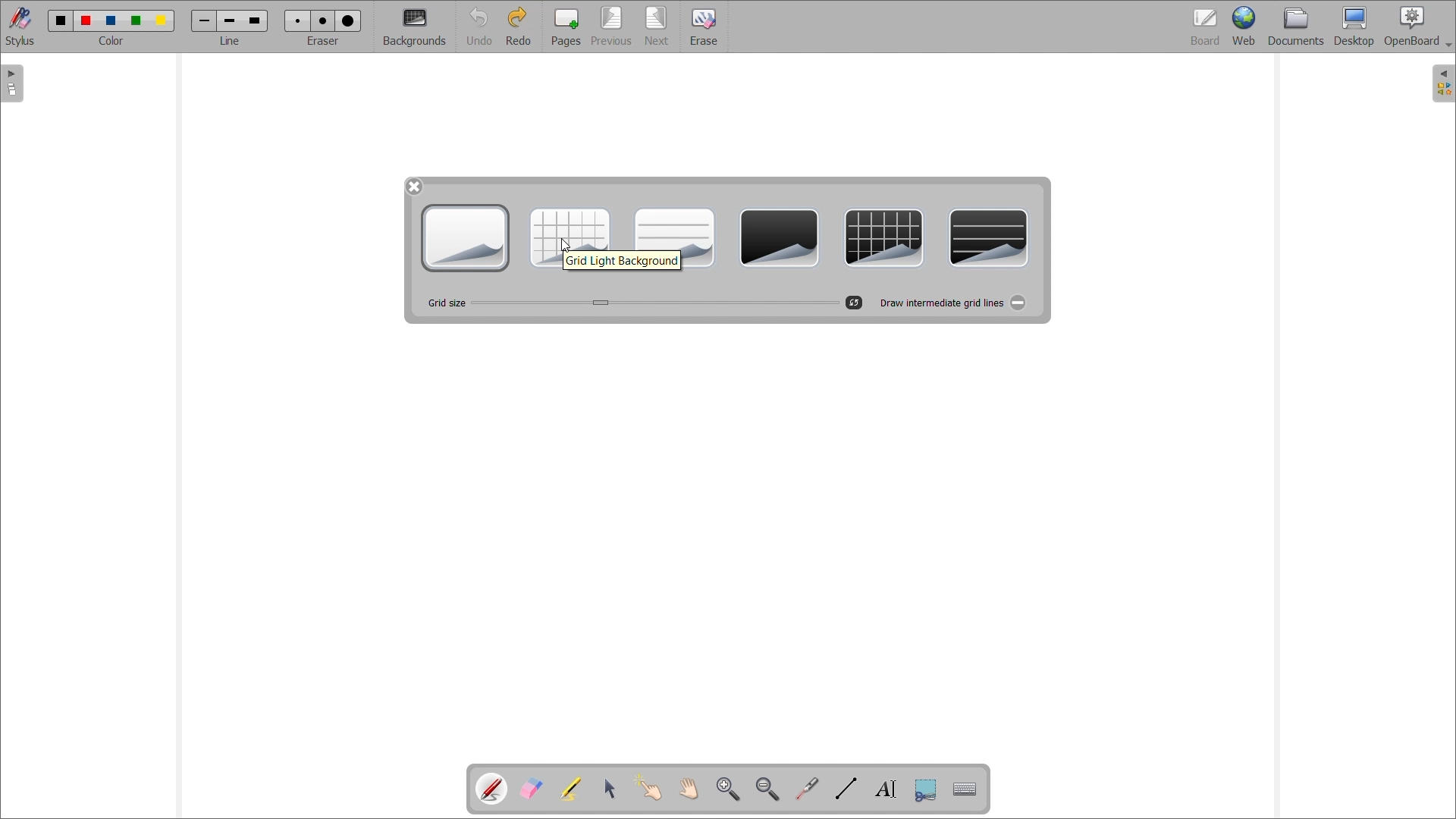 The height and width of the screenshot is (819, 1456). I want to click on Interact with items, so click(648, 787).